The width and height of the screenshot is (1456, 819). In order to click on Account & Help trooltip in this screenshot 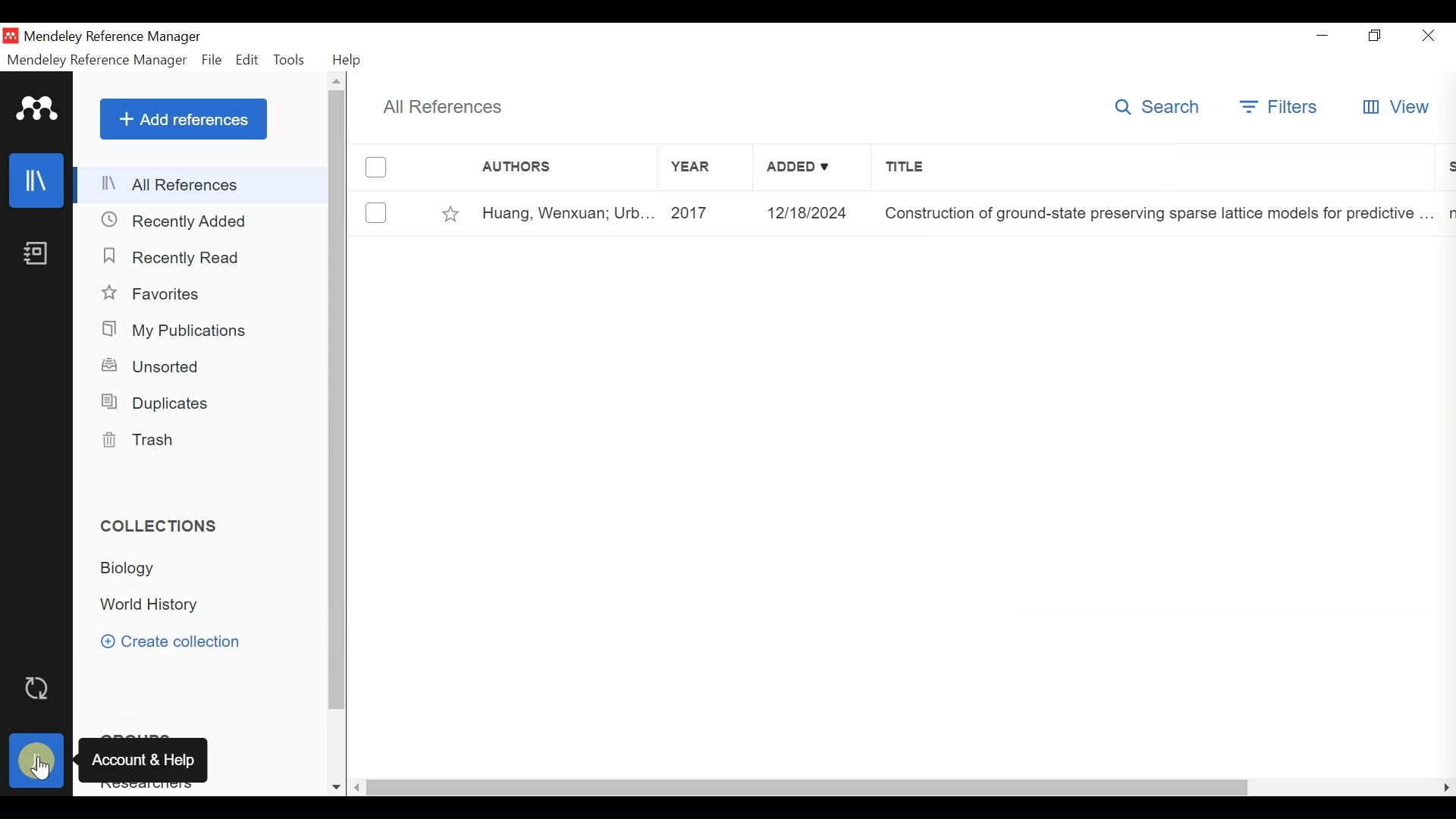, I will do `click(143, 760)`.